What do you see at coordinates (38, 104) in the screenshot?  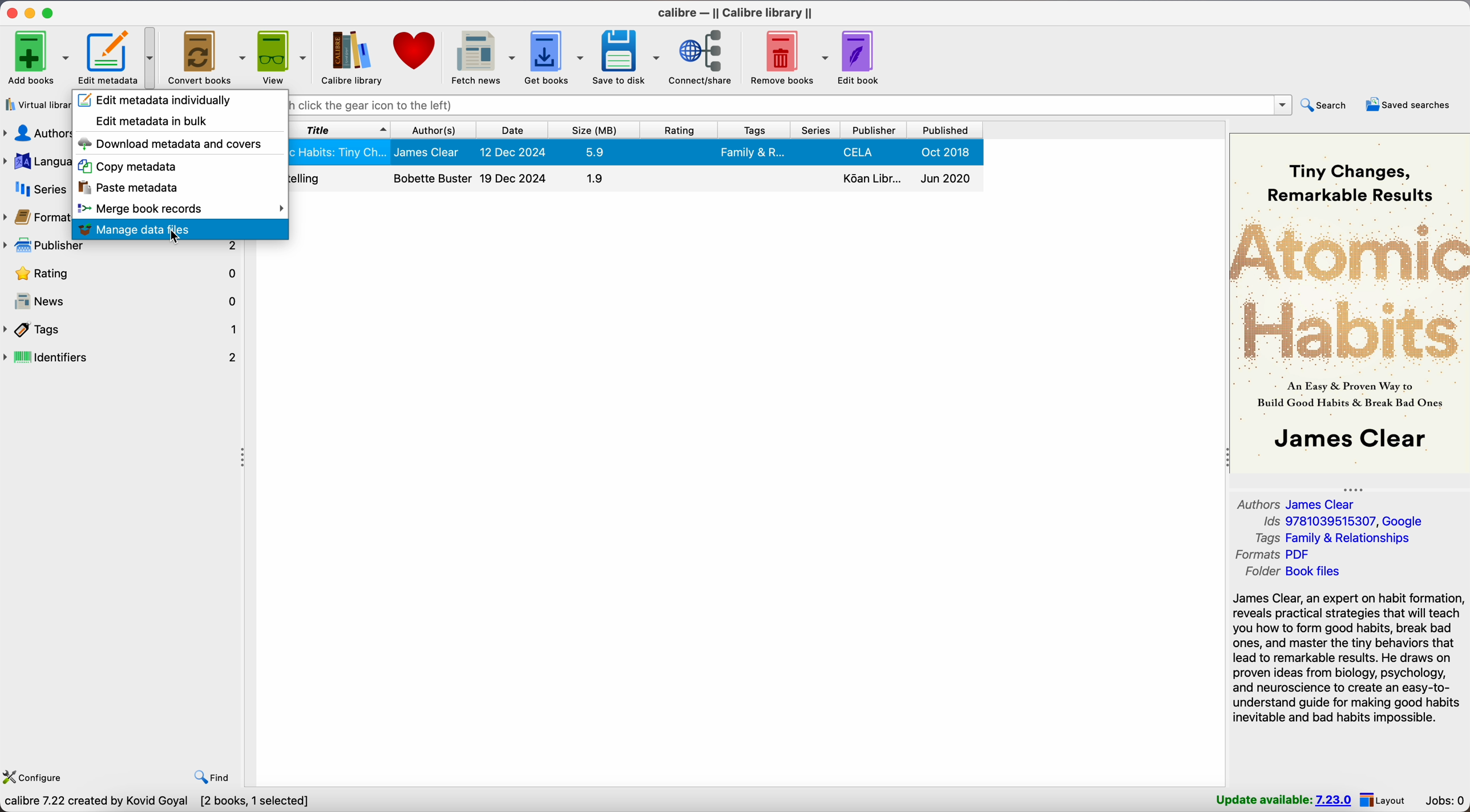 I see `virtual library` at bounding box center [38, 104].